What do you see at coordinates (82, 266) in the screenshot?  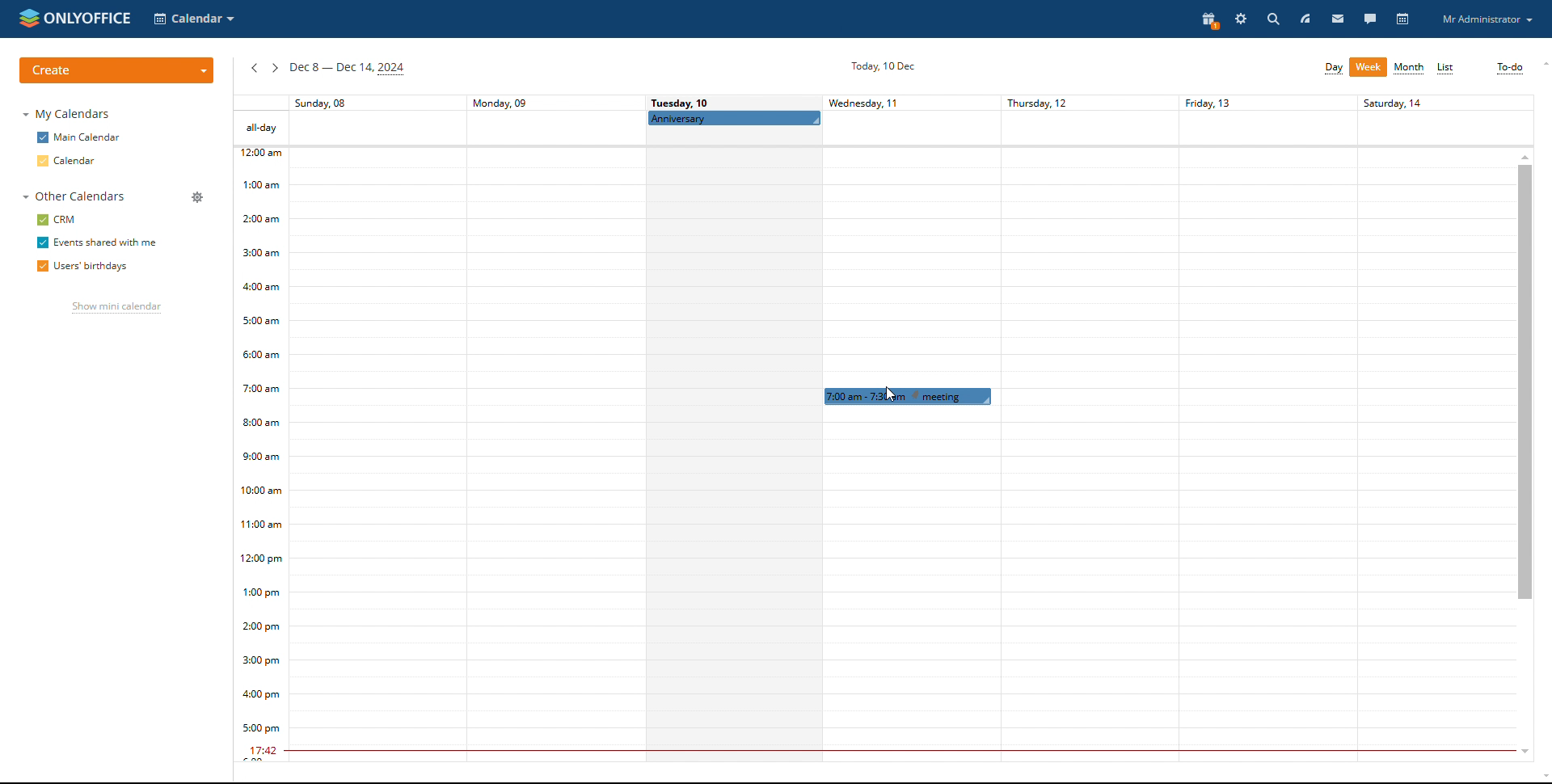 I see `users' birthdays` at bounding box center [82, 266].